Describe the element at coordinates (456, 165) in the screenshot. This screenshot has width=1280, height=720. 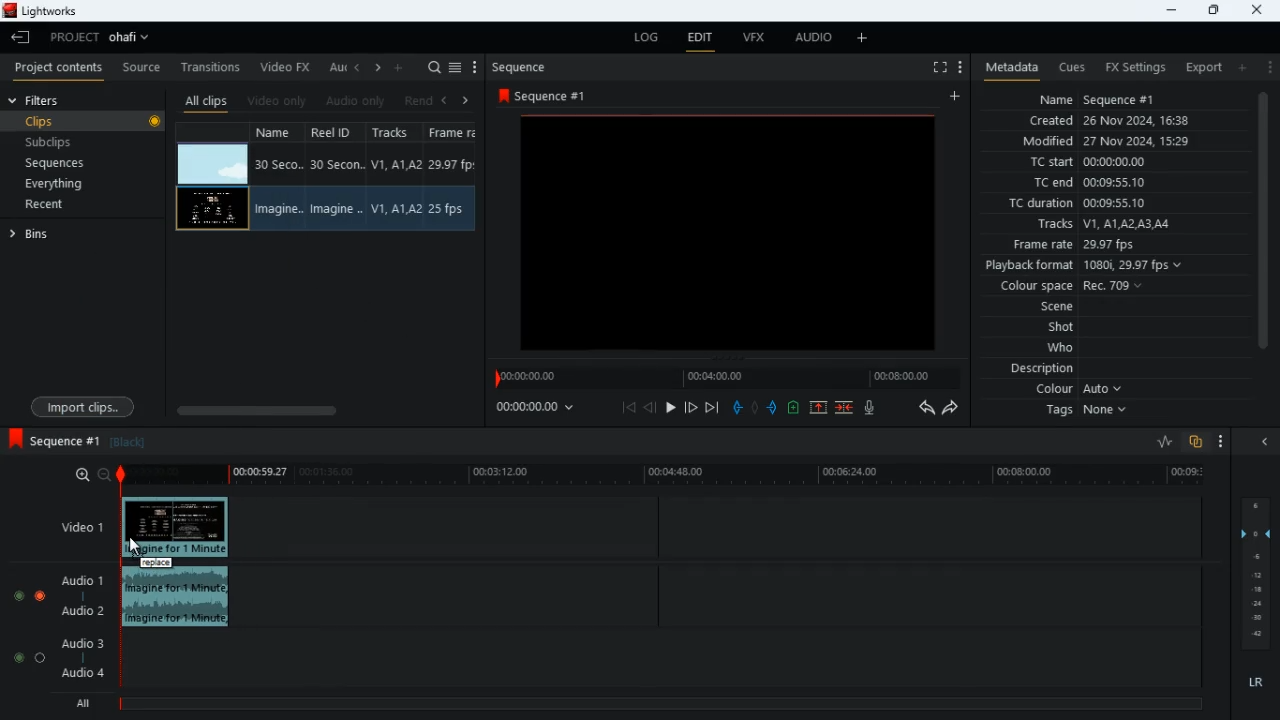
I see `29.97 fps` at that location.